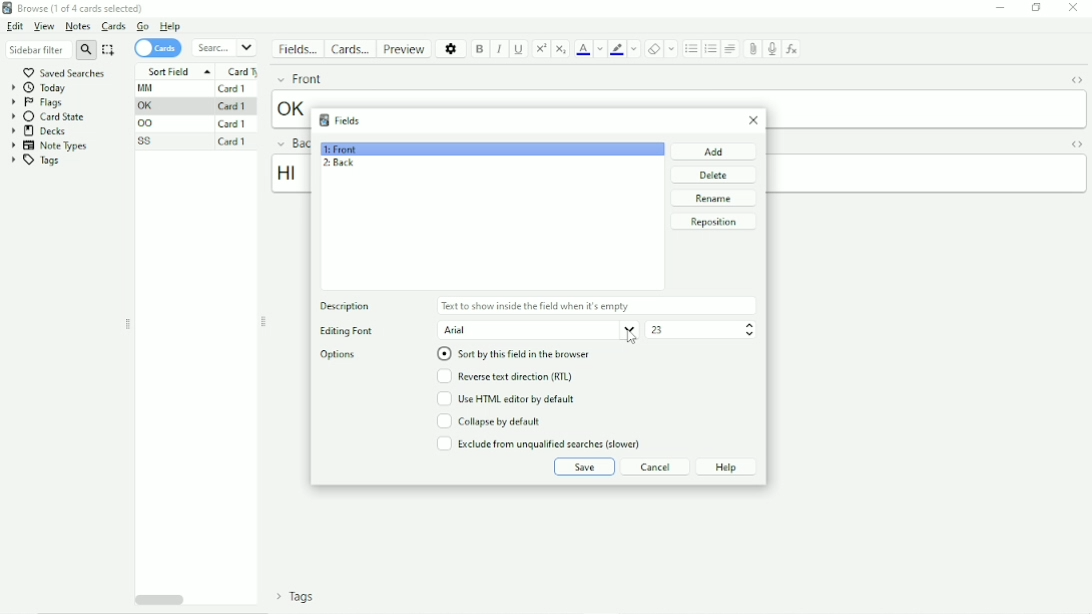  Describe the element at coordinates (631, 338) in the screenshot. I see `cursor` at that location.